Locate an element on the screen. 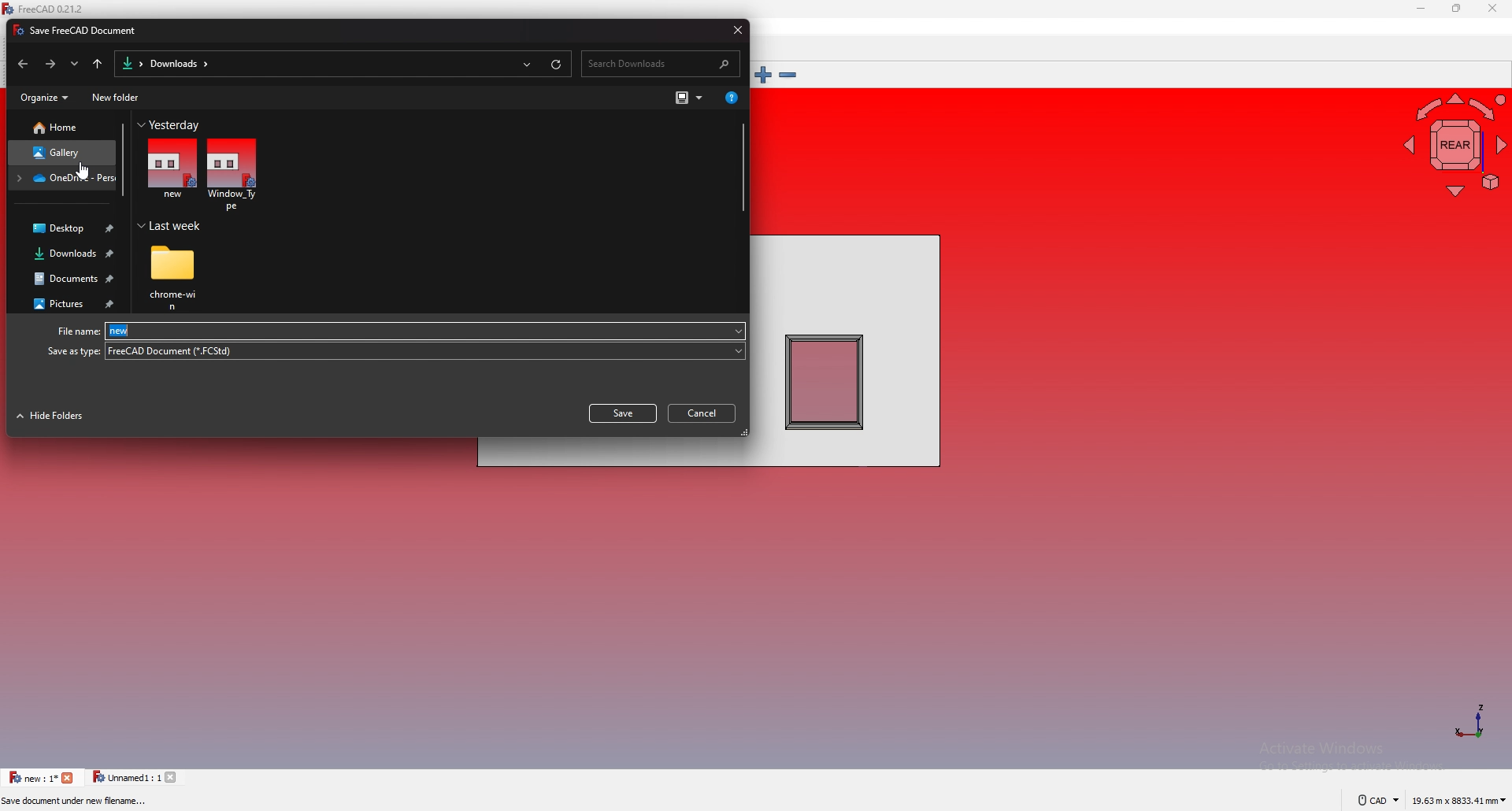 The height and width of the screenshot is (811, 1512). Yesterday is located at coordinates (379, 124).